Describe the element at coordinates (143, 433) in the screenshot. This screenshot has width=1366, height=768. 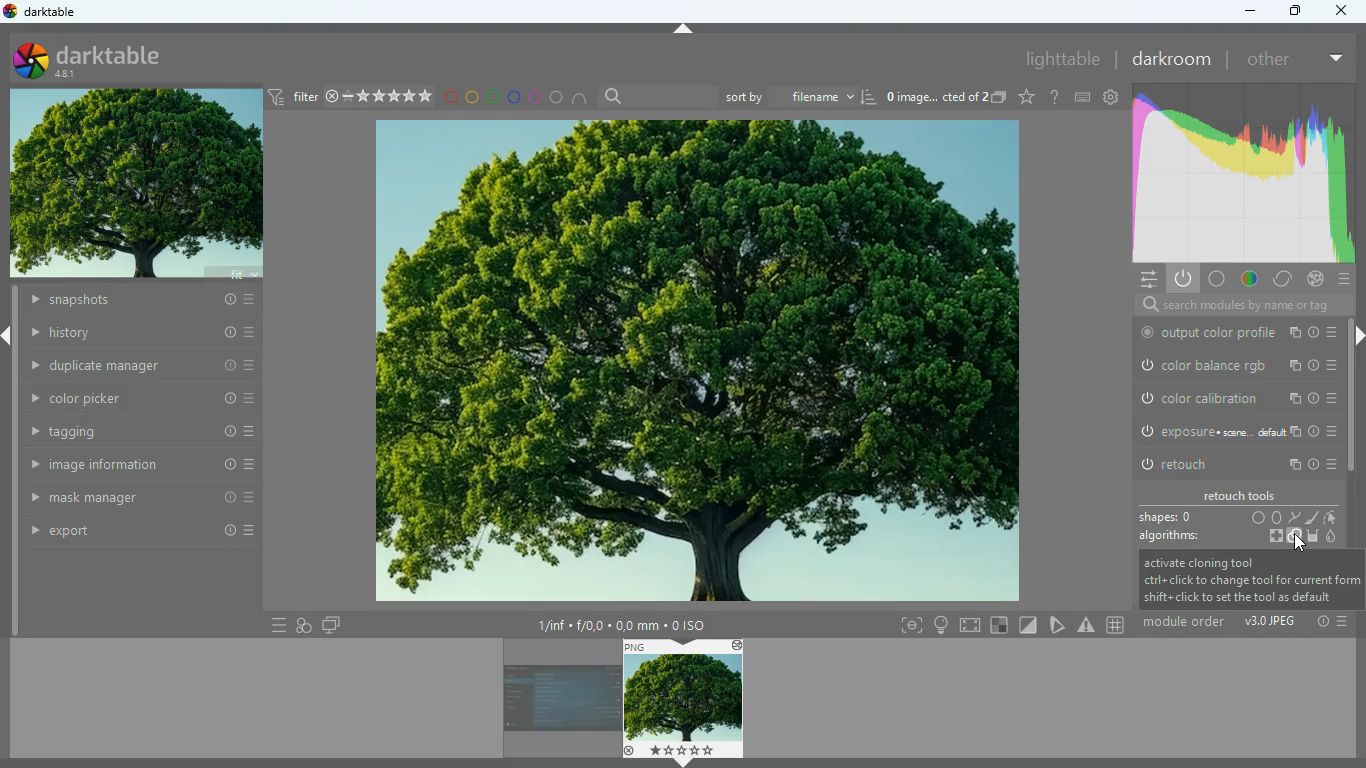
I see `tagging` at that location.